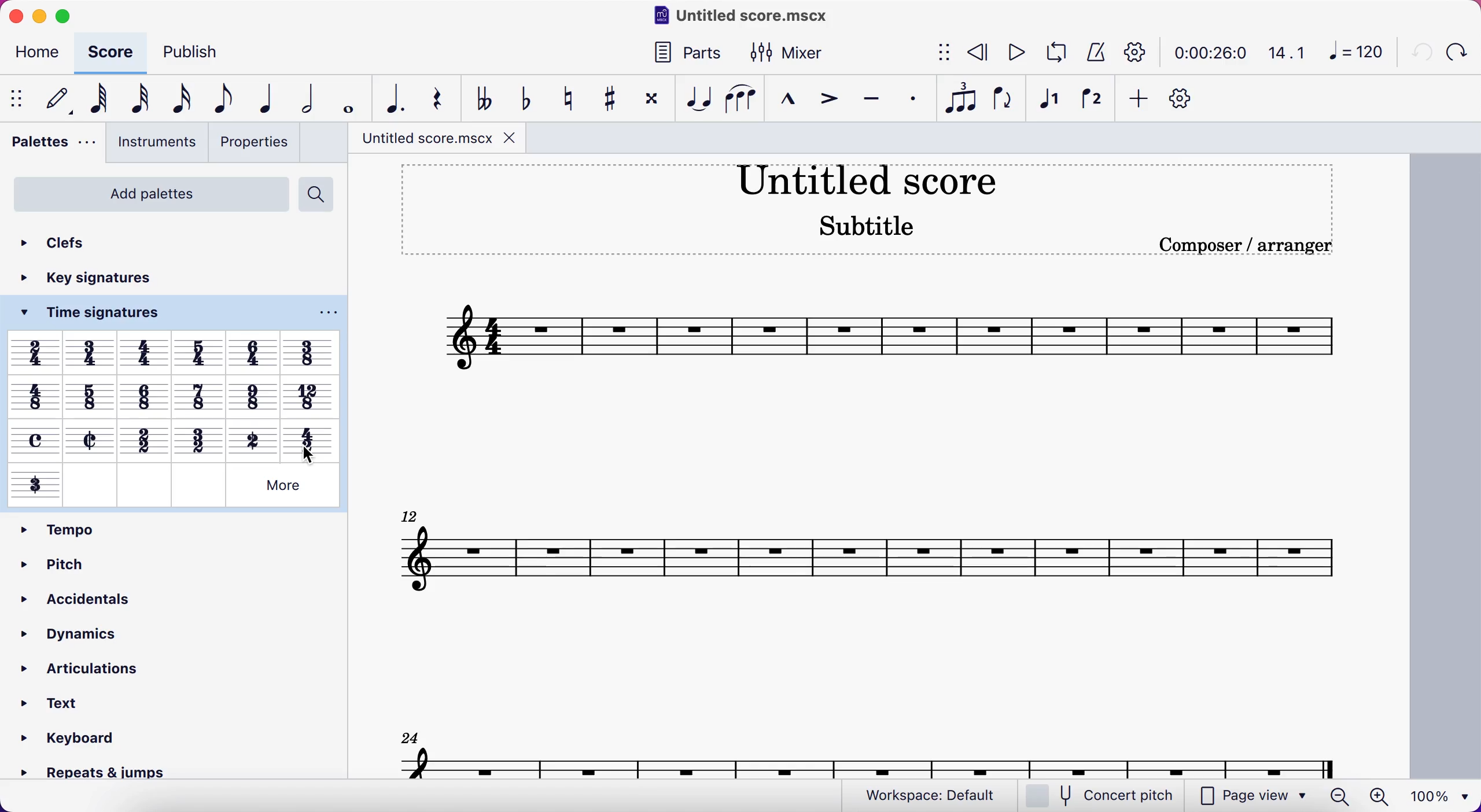 This screenshot has width=1481, height=812. I want to click on 12, so click(872, 560).